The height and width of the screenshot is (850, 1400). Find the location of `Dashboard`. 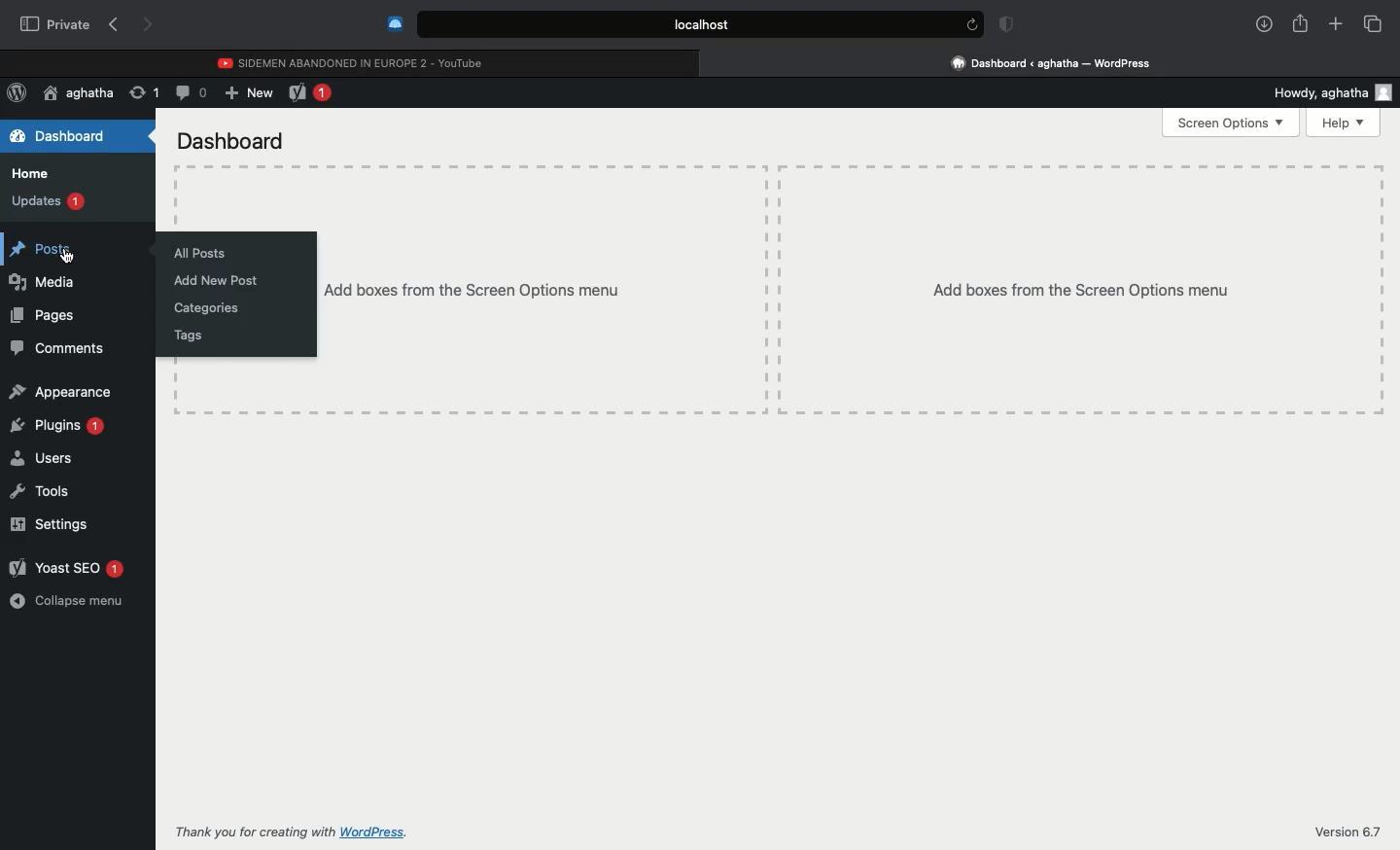

Dashboard is located at coordinates (232, 141).